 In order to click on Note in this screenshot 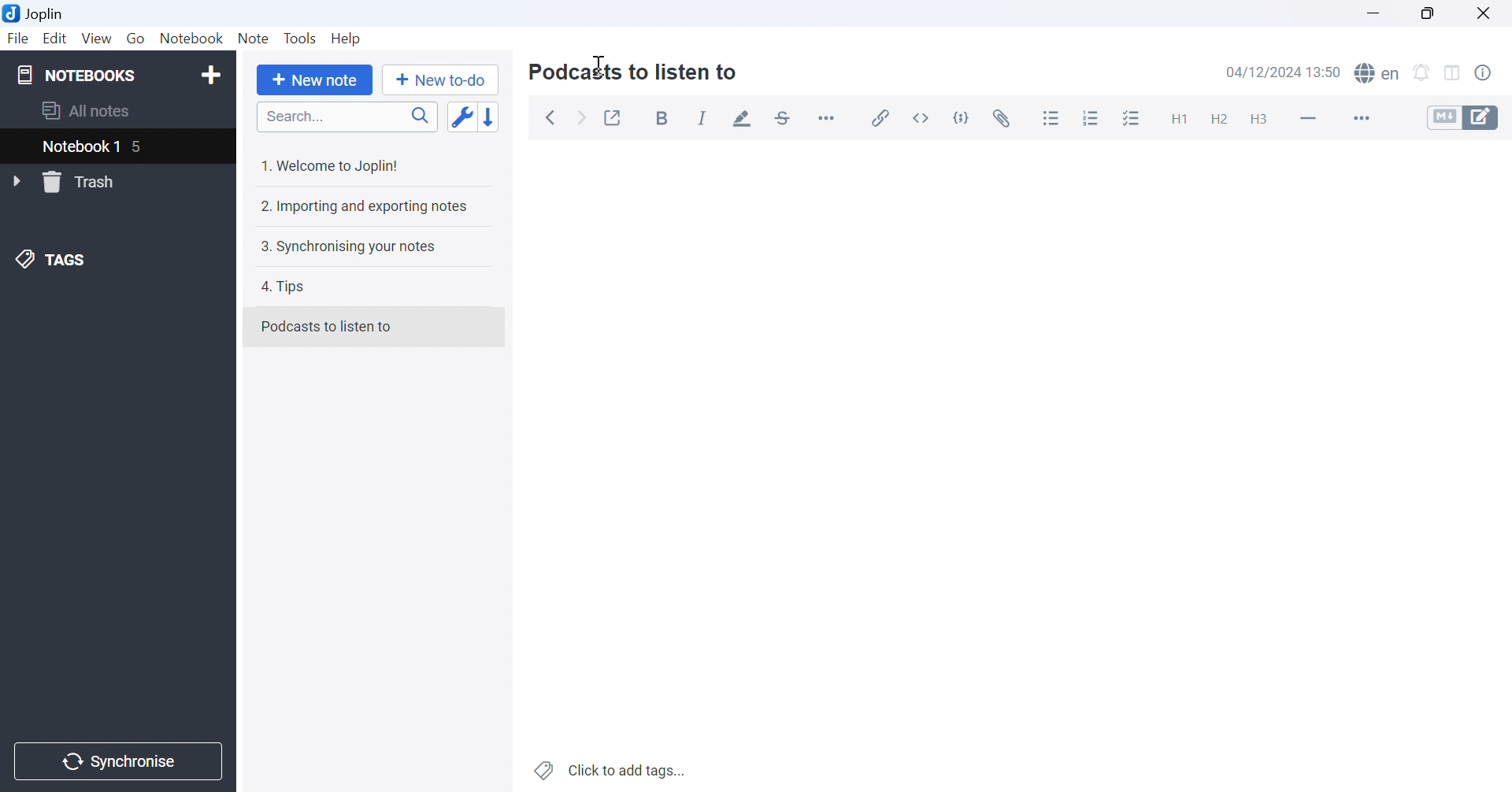, I will do `click(254, 38)`.